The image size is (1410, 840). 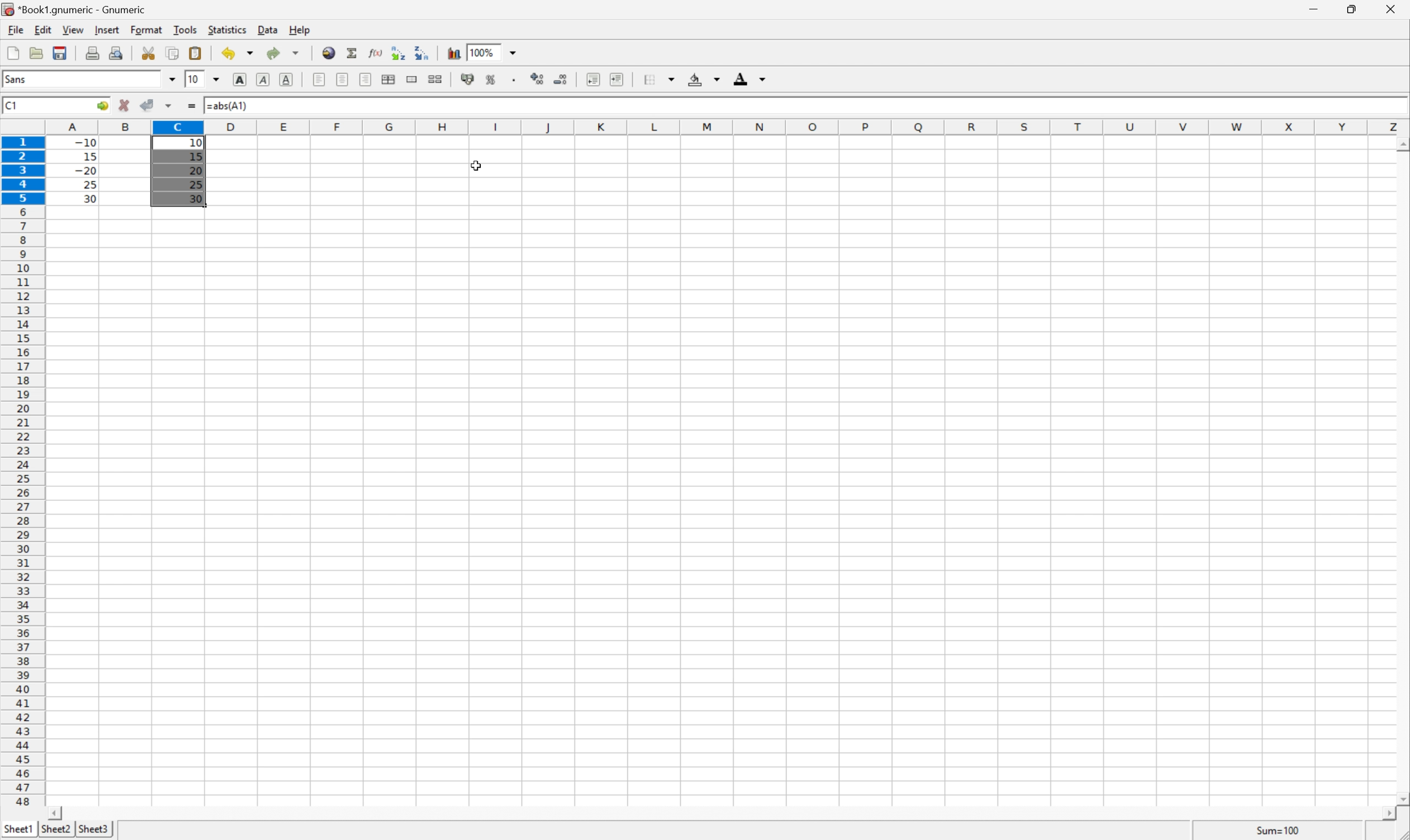 What do you see at coordinates (375, 52) in the screenshot?
I see `Edit a function in current cell` at bounding box center [375, 52].